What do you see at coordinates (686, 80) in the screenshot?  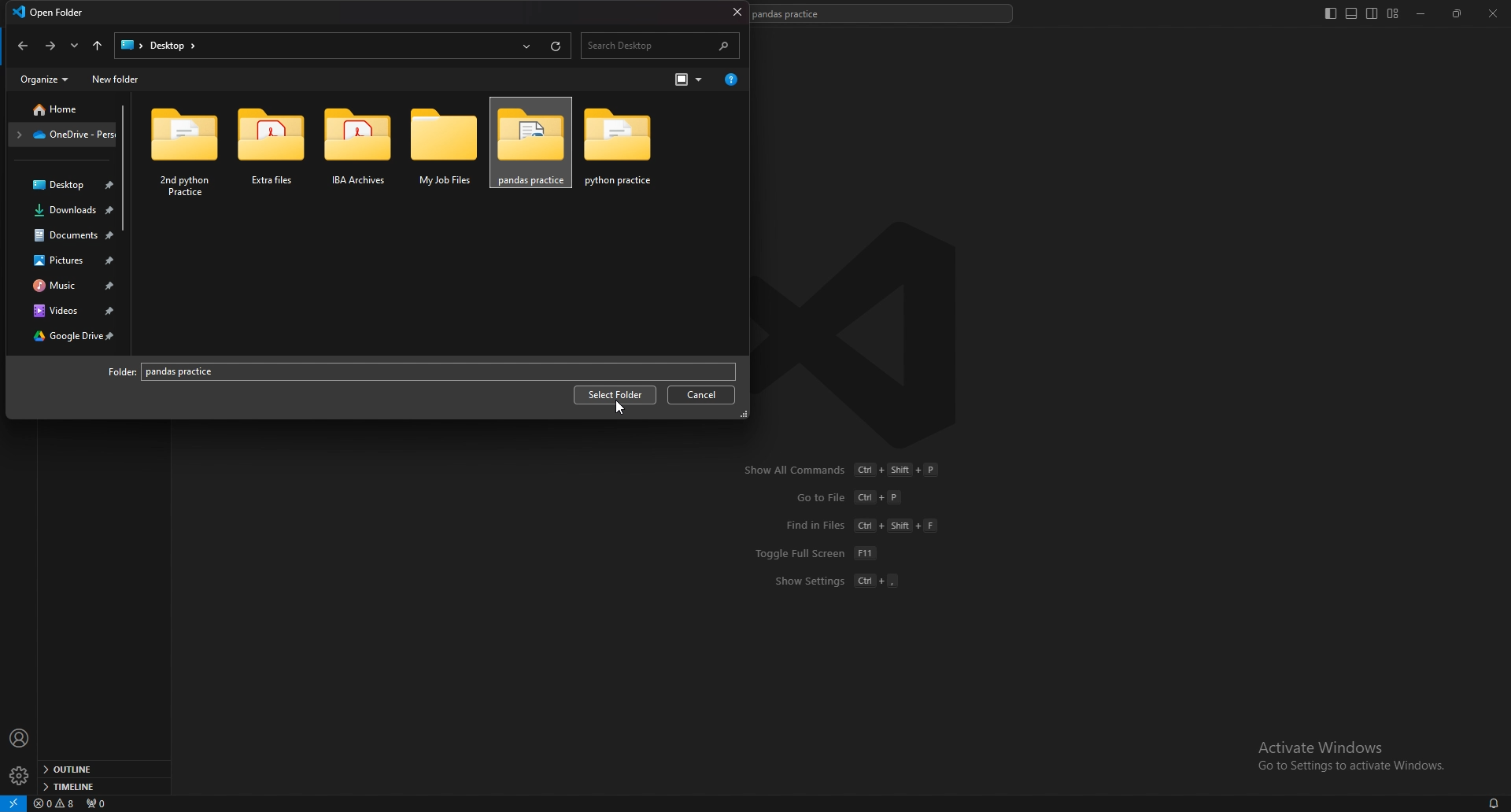 I see `change your view` at bounding box center [686, 80].